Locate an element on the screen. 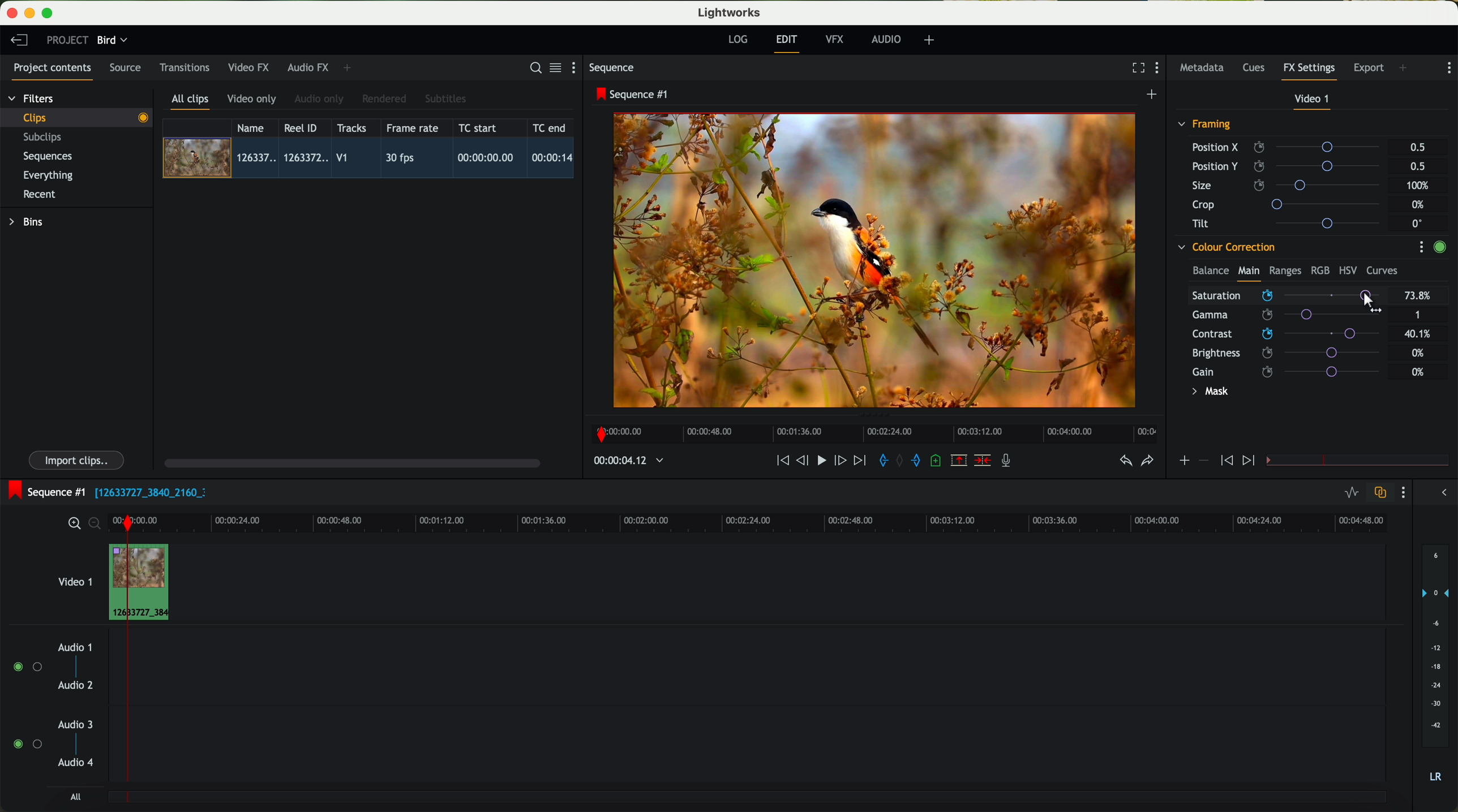  leave is located at coordinates (19, 41).